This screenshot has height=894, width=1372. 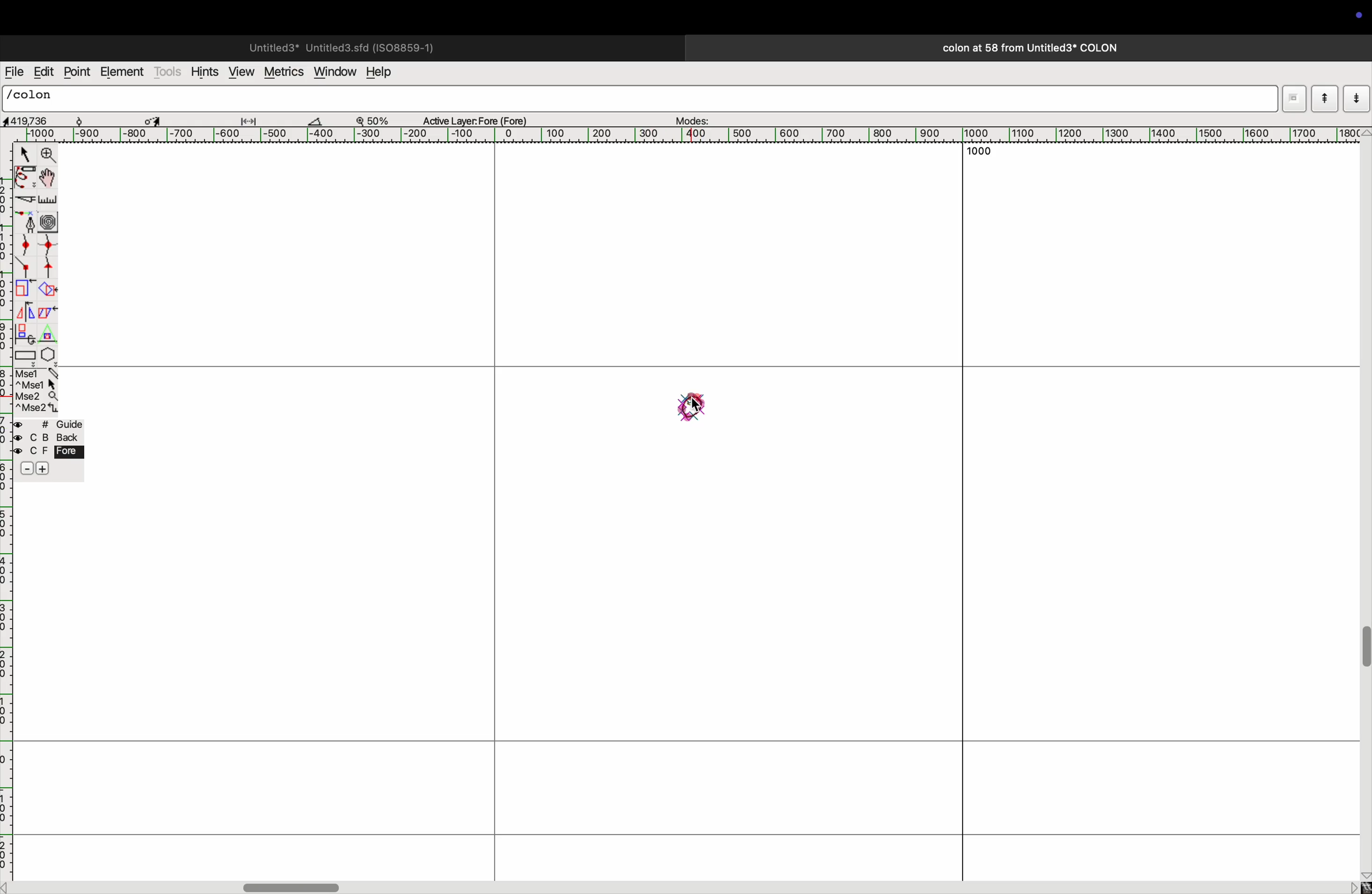 I want to click on toogle, so click(x=1363, y=654).